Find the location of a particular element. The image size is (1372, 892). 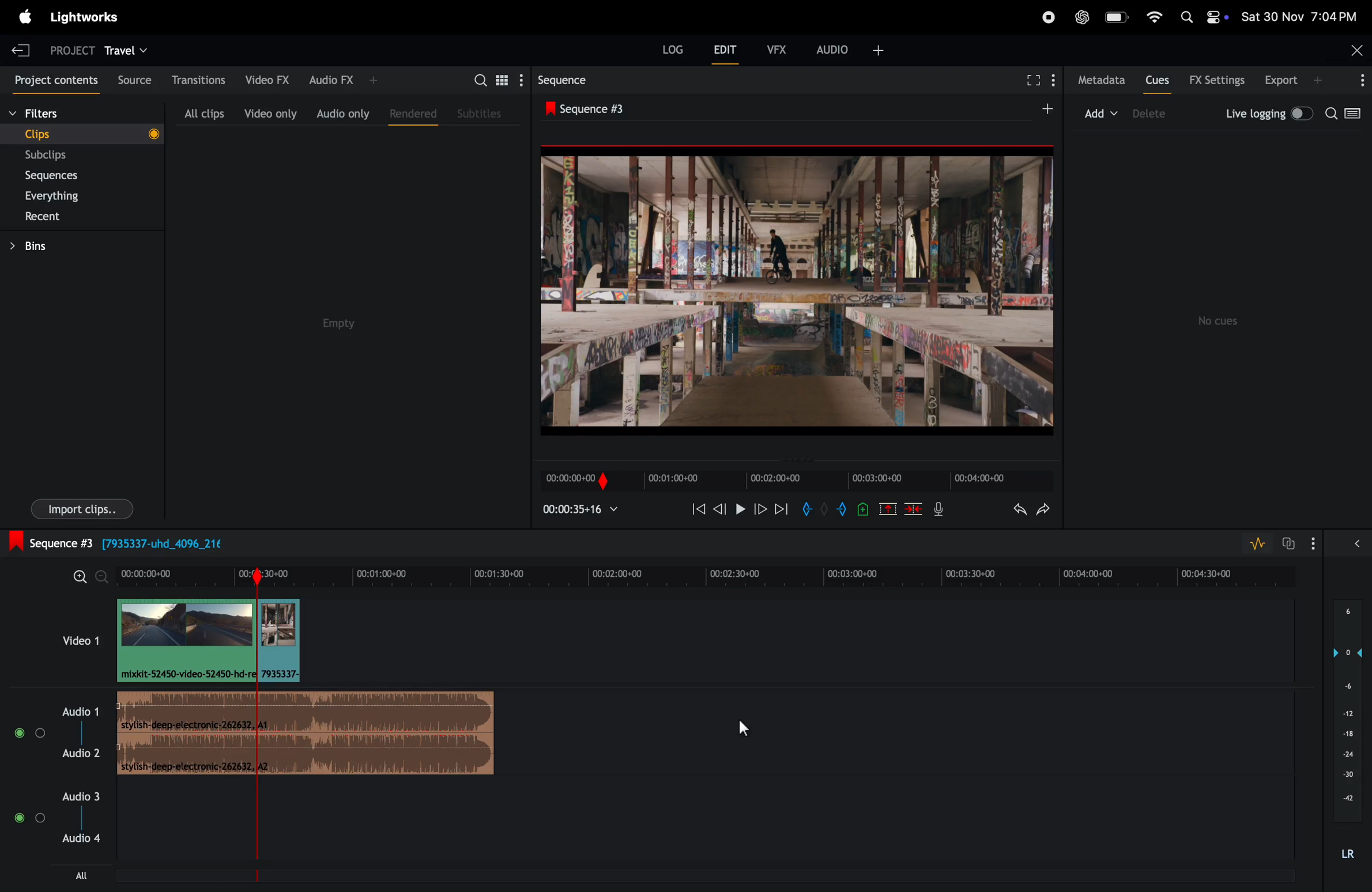

Audio is located at coordinates (30, 734).